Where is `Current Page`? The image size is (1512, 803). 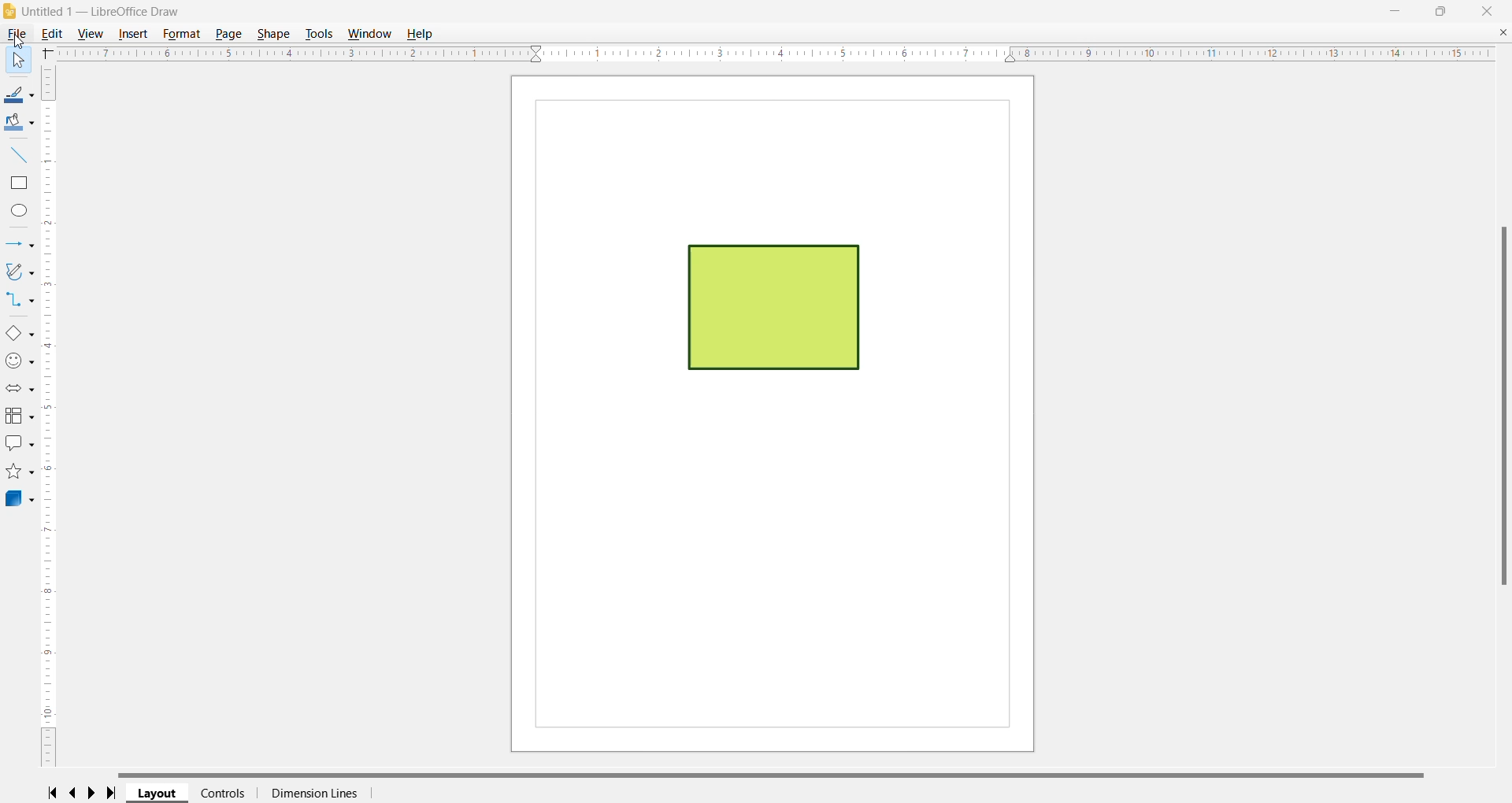 Current Page is located at coordinates (773, 414).